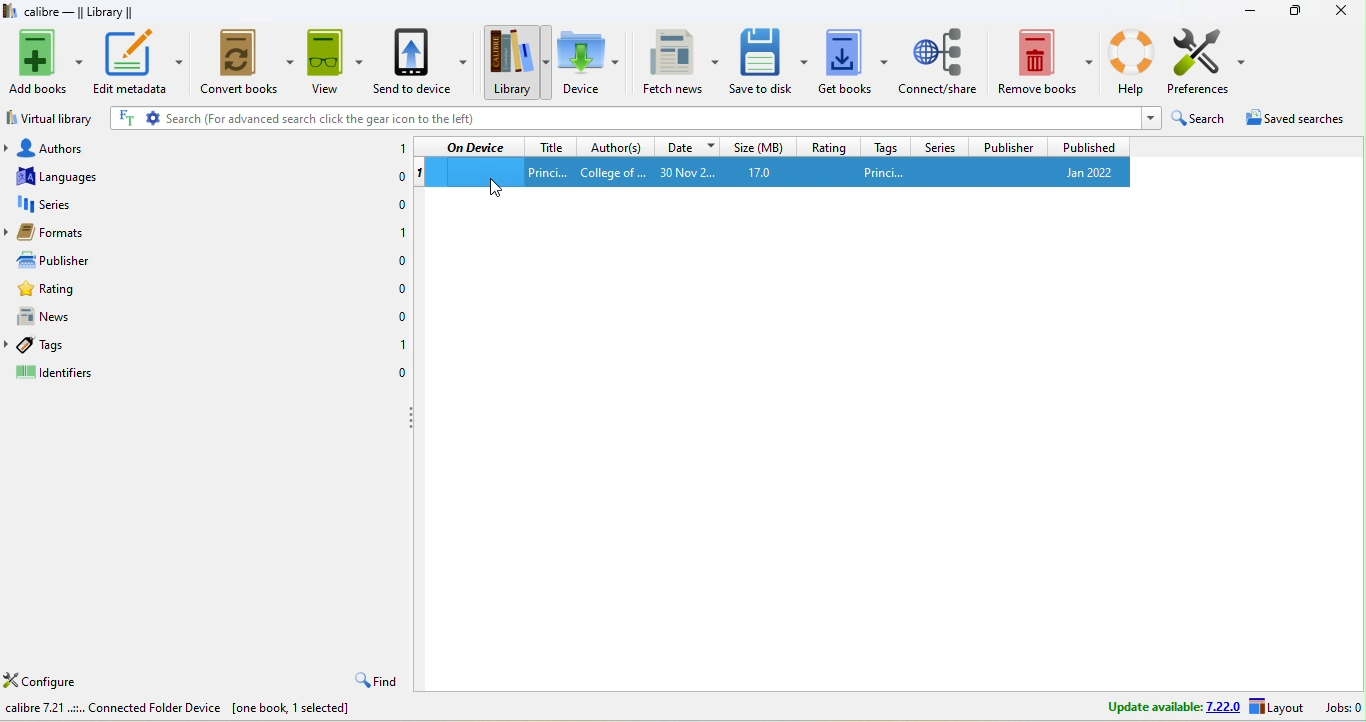  Describe the element at coordinates (1340, 11) in the screenshot. I see `close` at that location.